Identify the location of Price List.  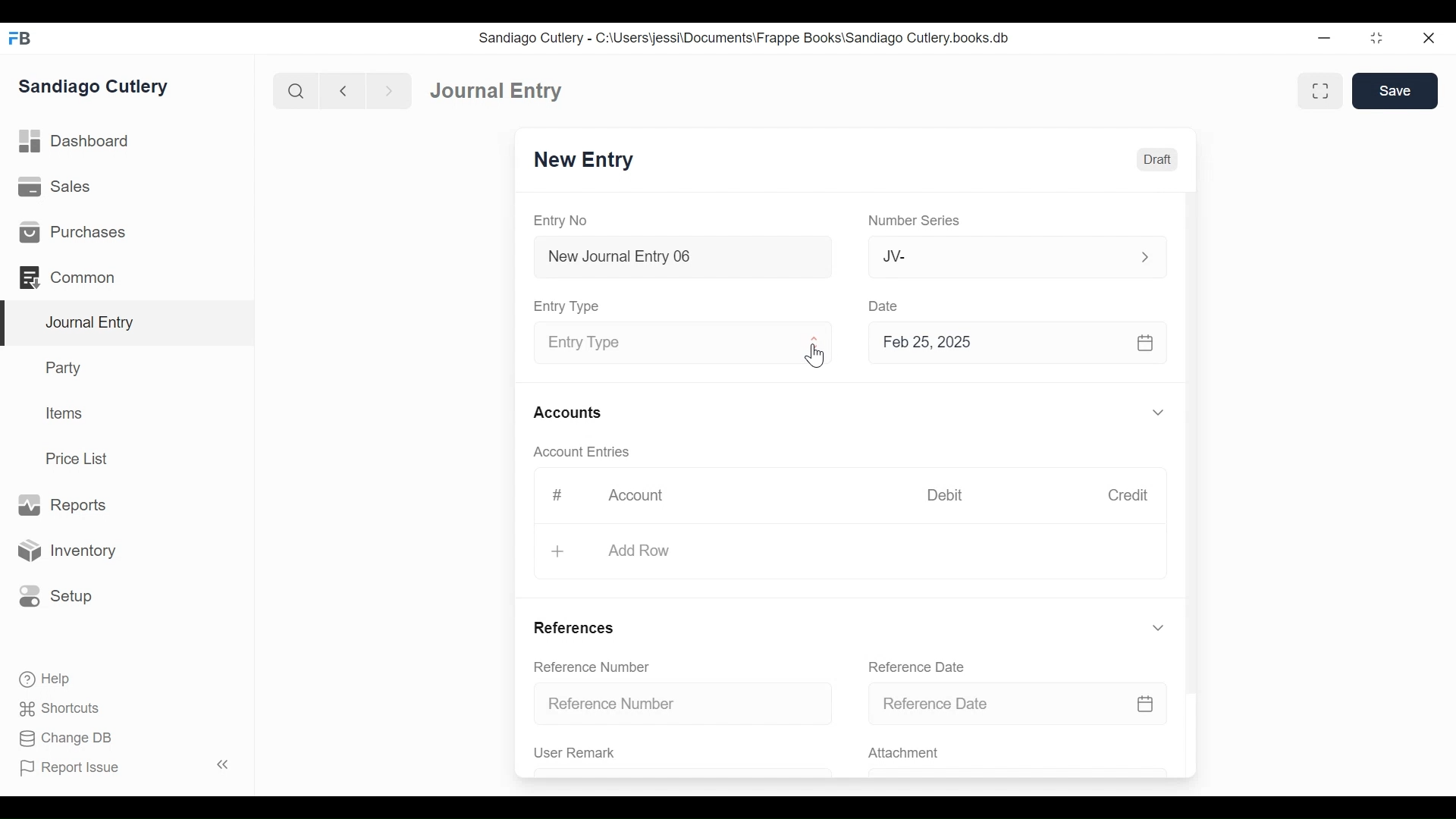
(82, 459).